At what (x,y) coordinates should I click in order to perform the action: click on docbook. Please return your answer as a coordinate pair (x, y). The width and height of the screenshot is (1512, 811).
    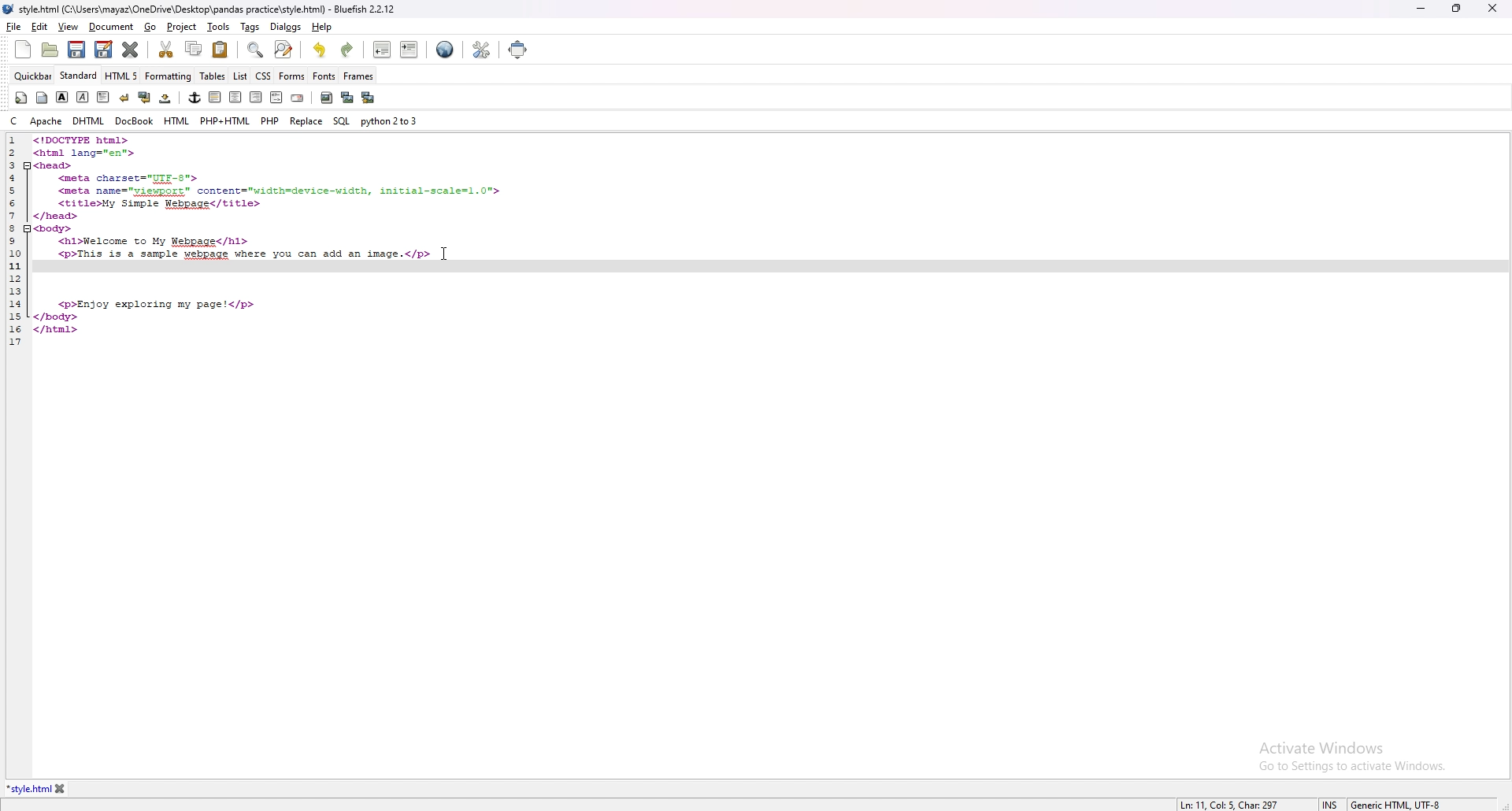
    Looking at the image, I should click on (136, 121).